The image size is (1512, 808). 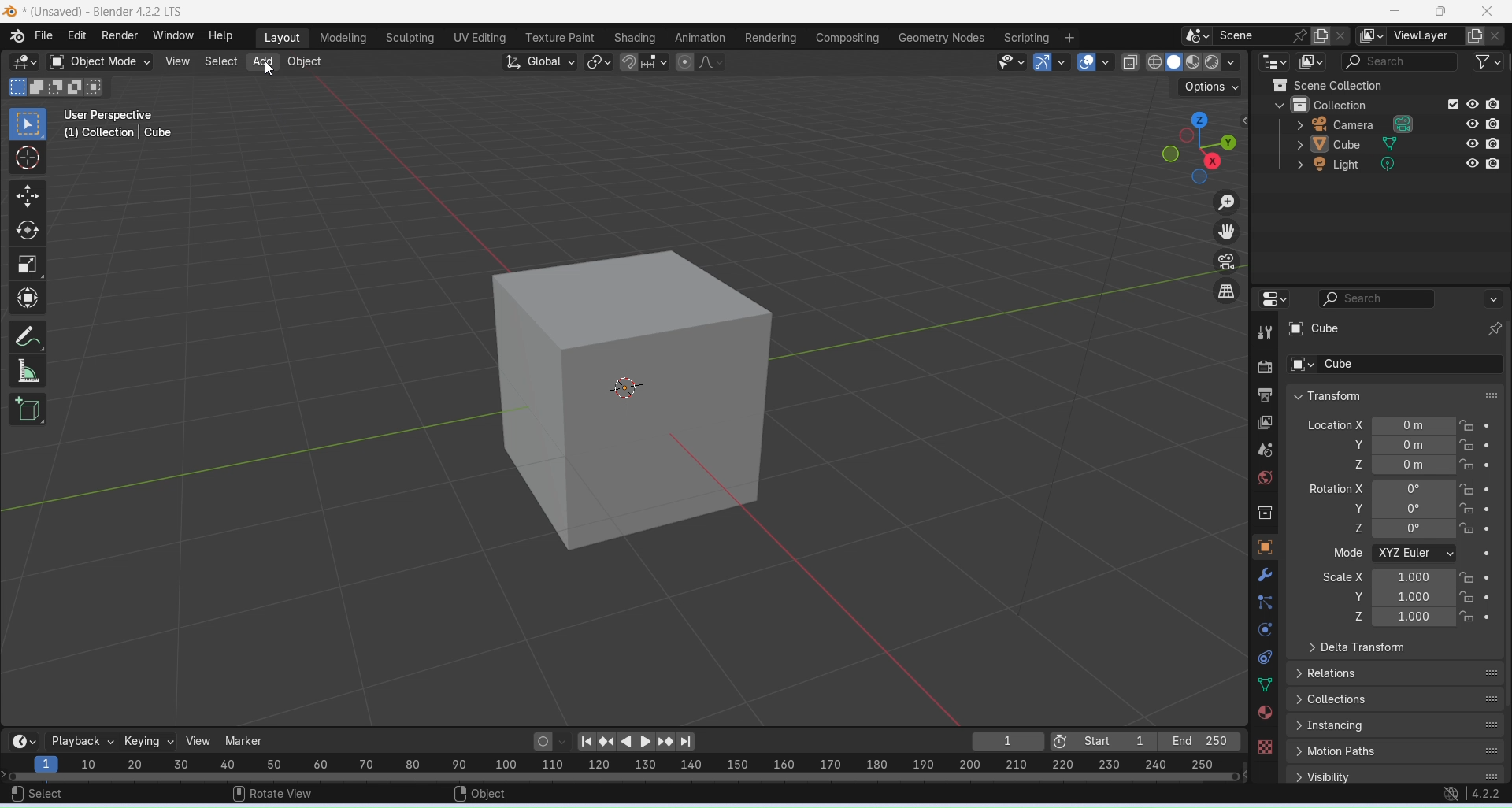 I want to click on Scale X, so click(x=1432, y=578).